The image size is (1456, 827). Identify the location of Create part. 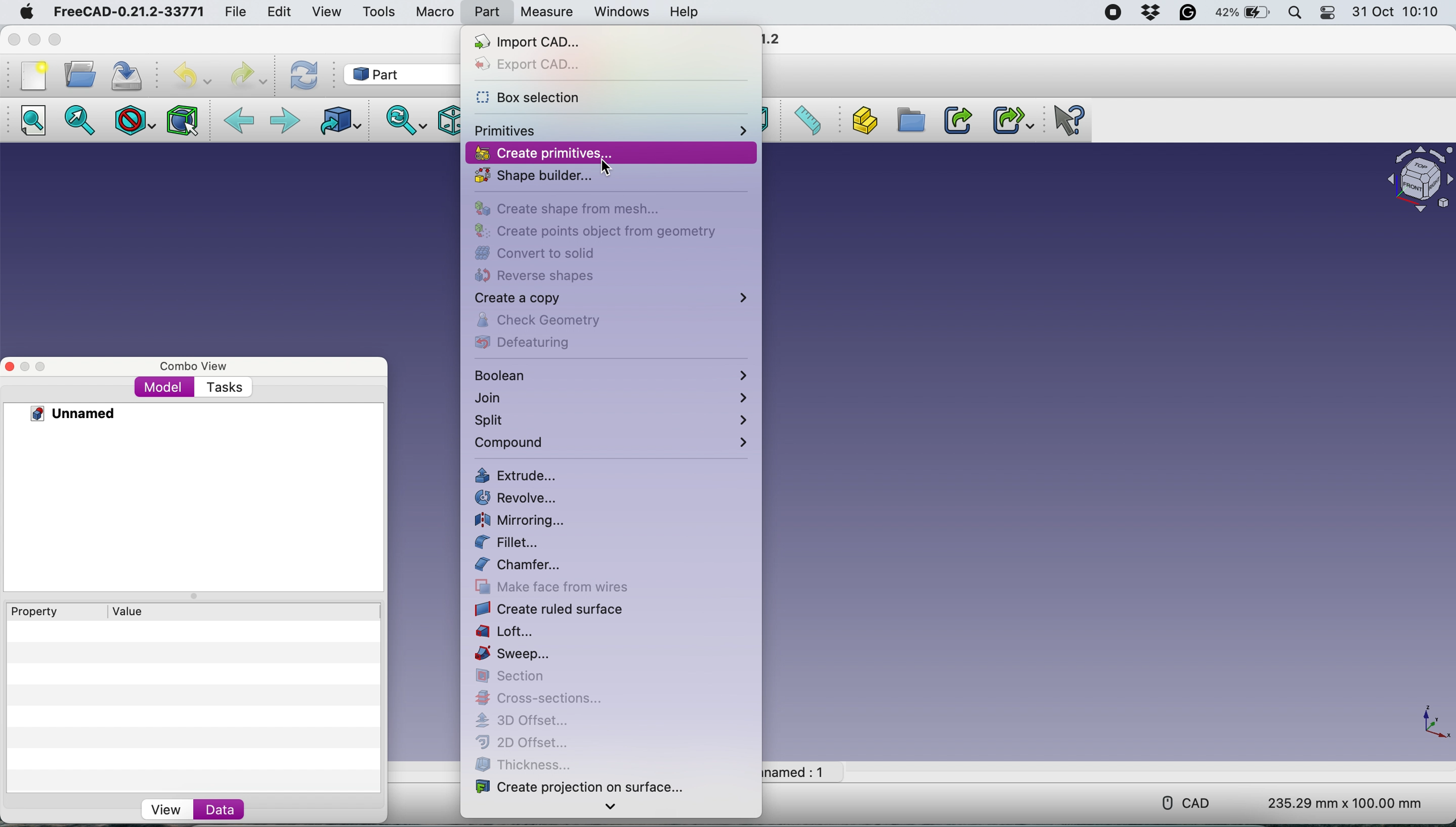
(859, 121).